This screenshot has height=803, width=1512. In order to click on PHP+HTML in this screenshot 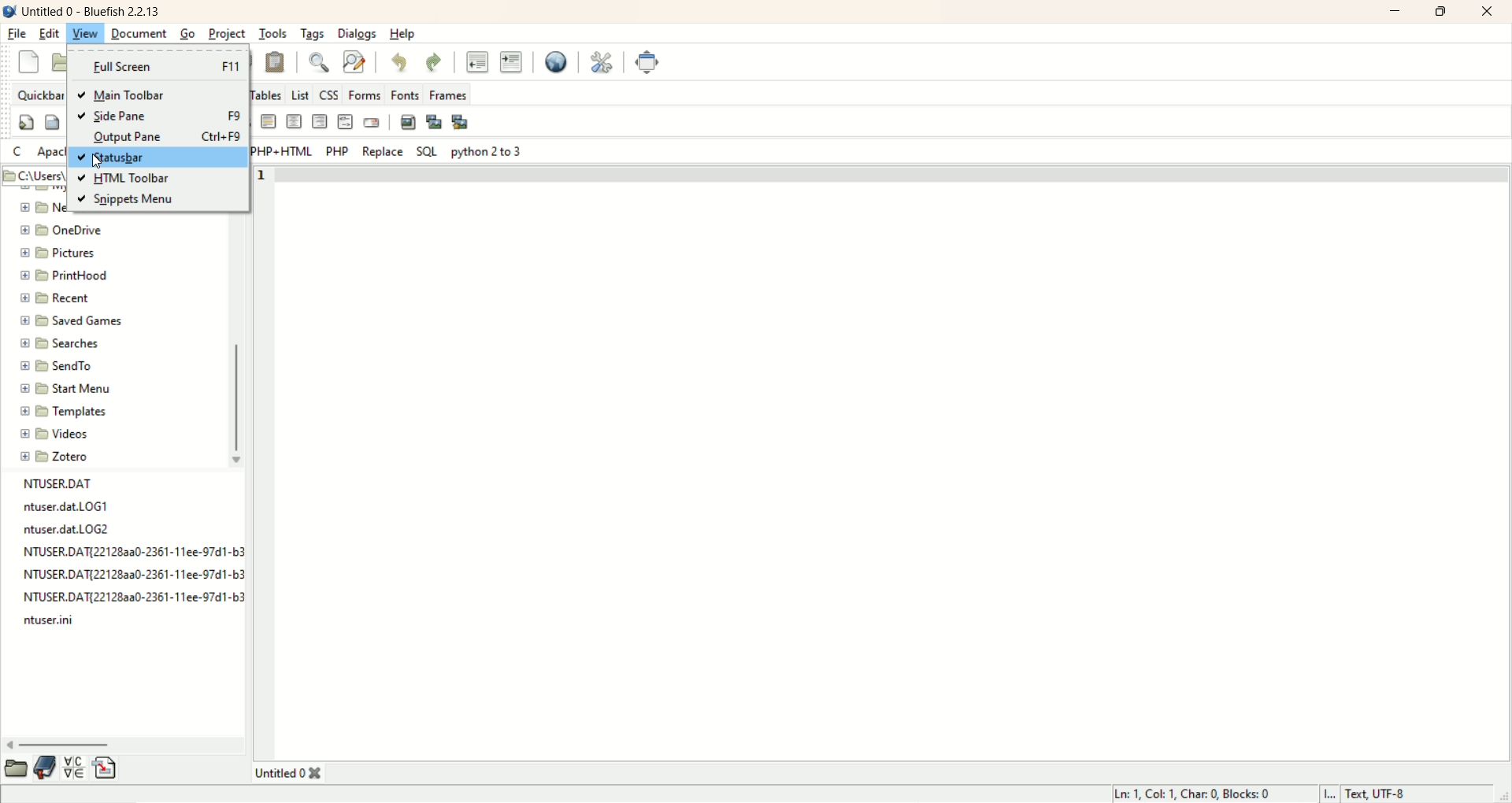, I will do `click(282, 152)`.